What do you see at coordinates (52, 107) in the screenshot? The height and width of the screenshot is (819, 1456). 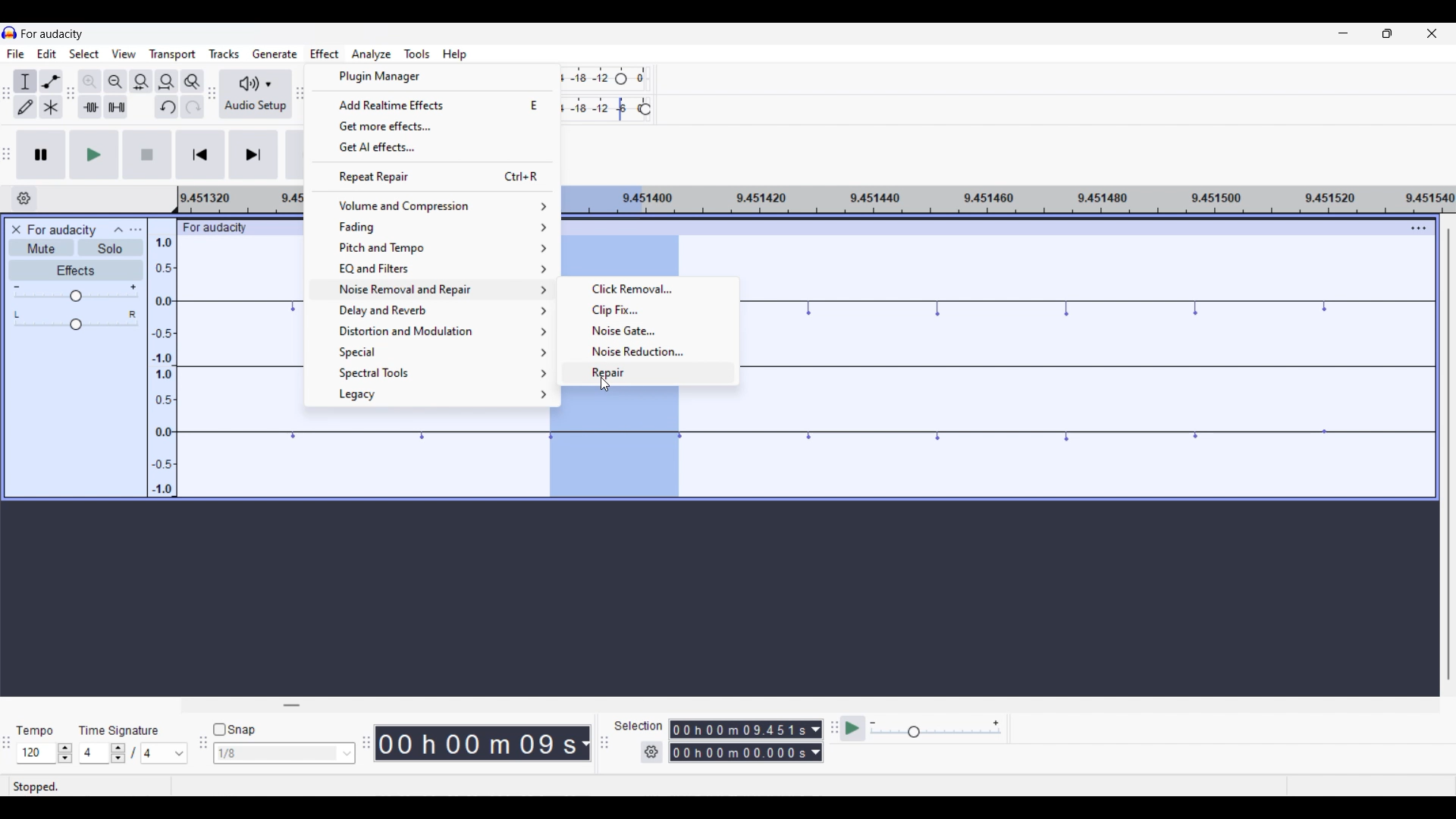 I see `Multi-tool` at bounding box center [52, 107].